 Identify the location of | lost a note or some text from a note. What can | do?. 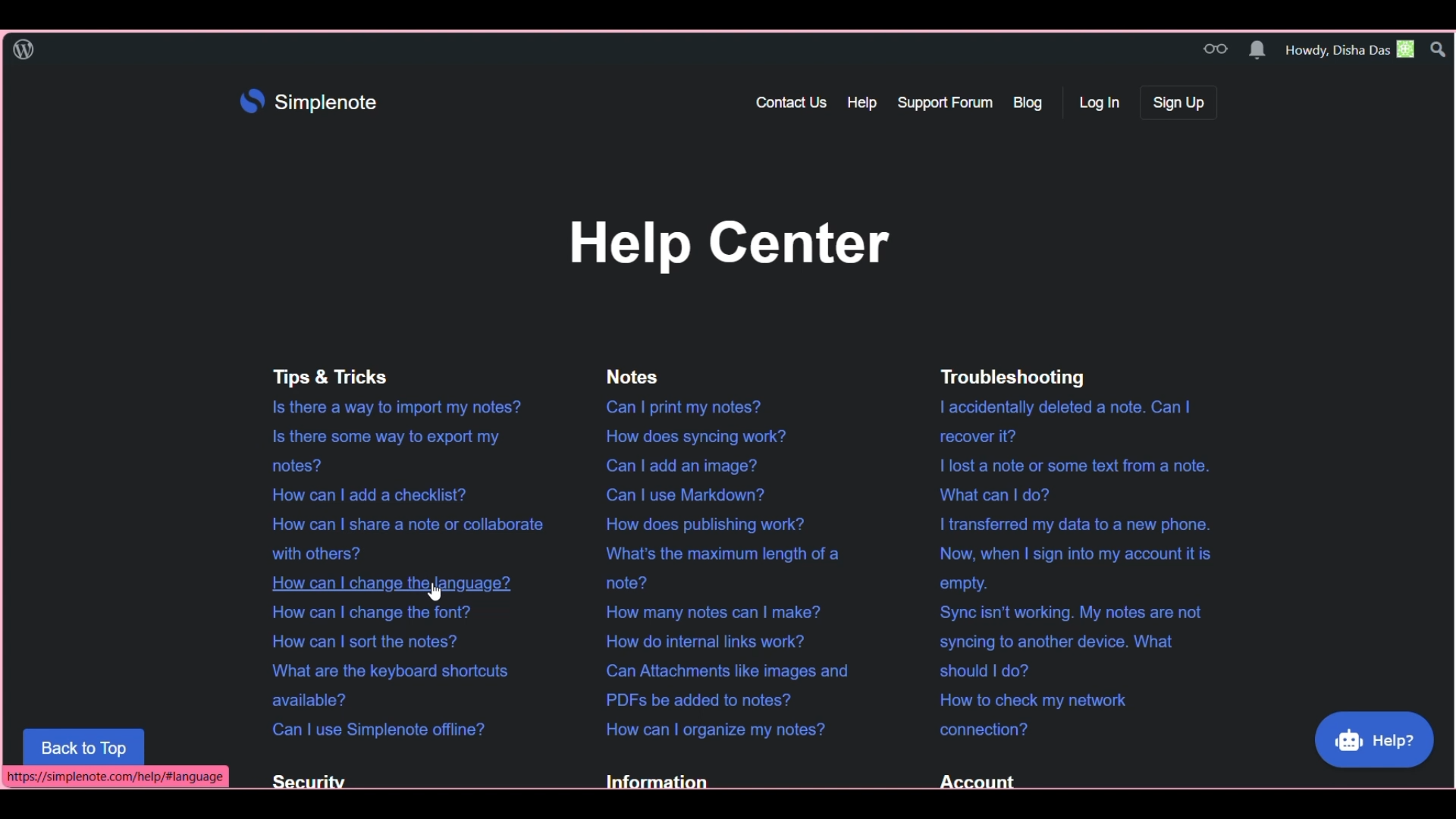
(1068, 477).